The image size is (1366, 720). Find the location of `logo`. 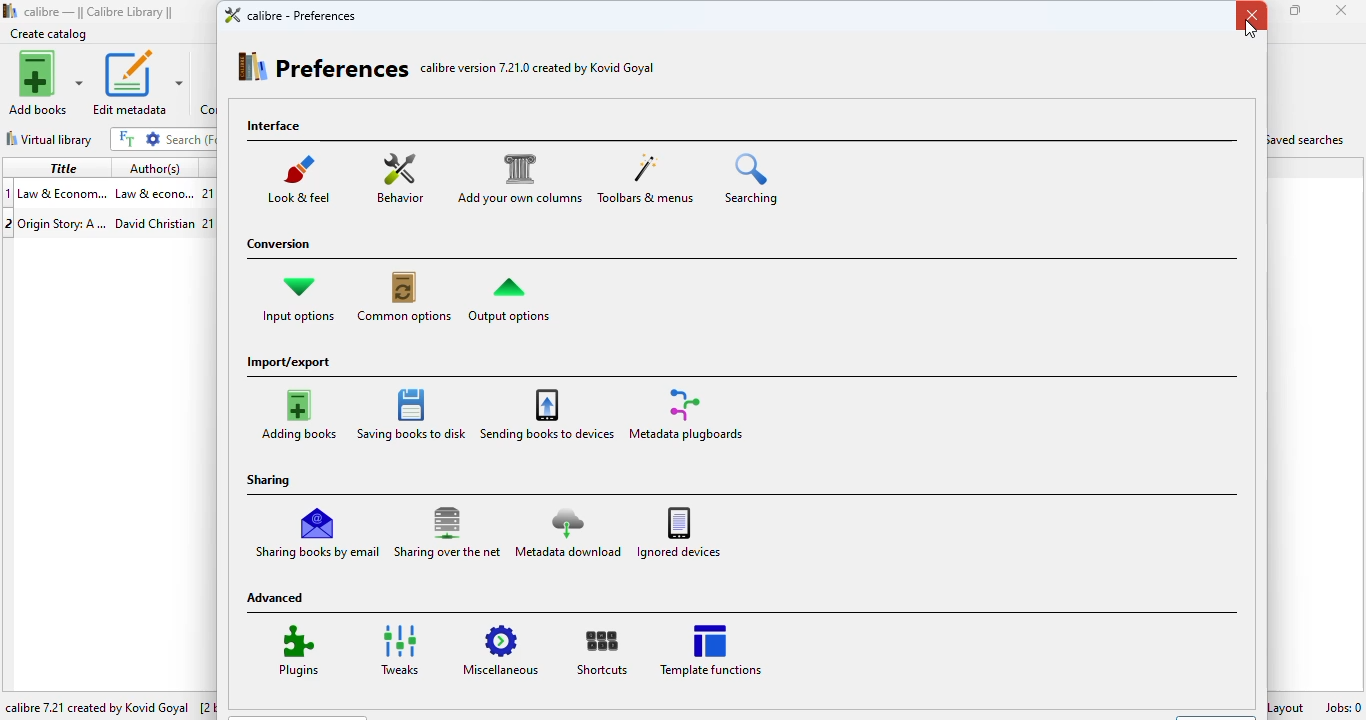

logo is located at coordinates (11, 10).